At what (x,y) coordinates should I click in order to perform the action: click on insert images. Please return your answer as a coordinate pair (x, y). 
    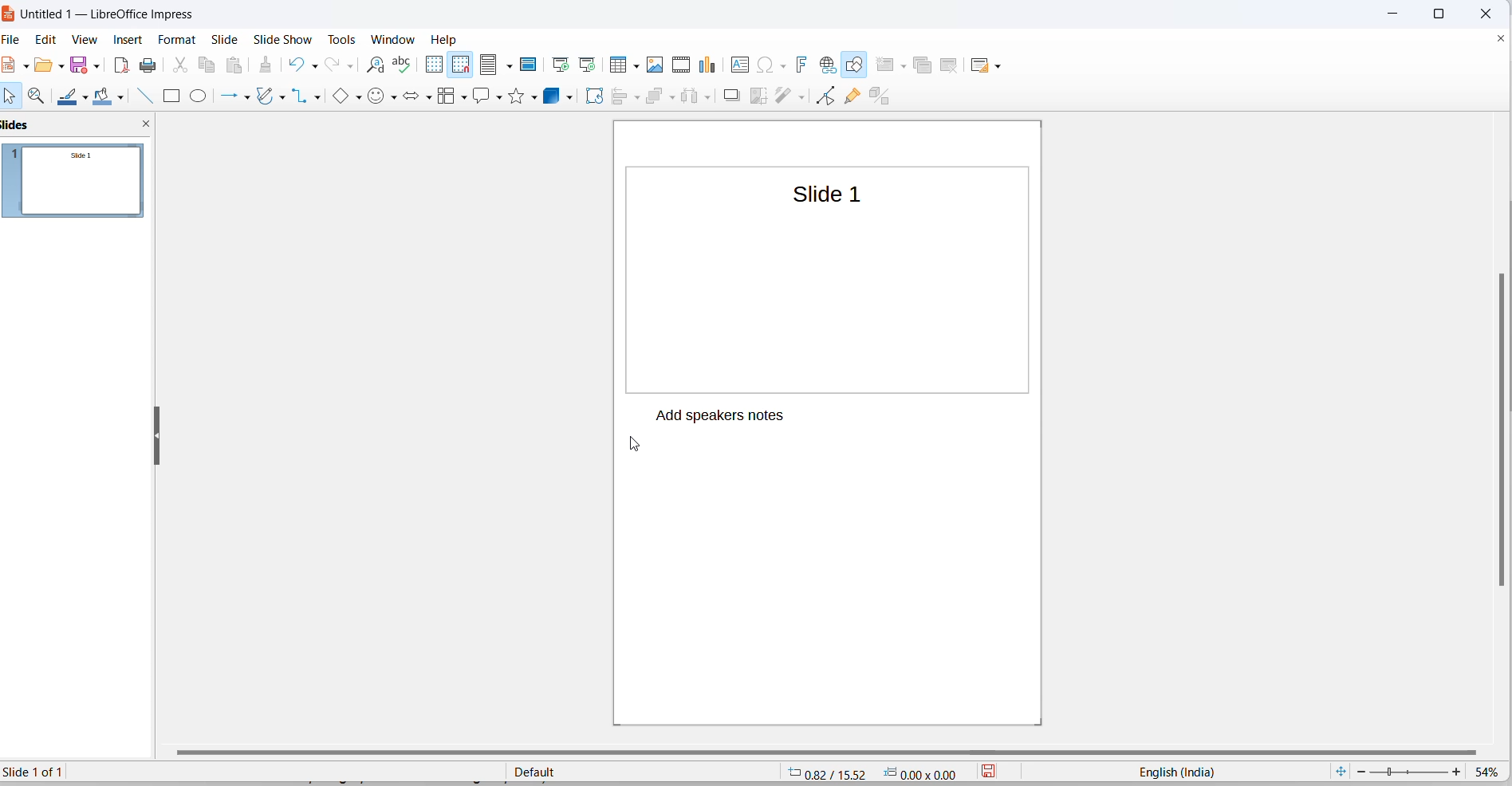
    Looking at the image, I should click on (657, 66).